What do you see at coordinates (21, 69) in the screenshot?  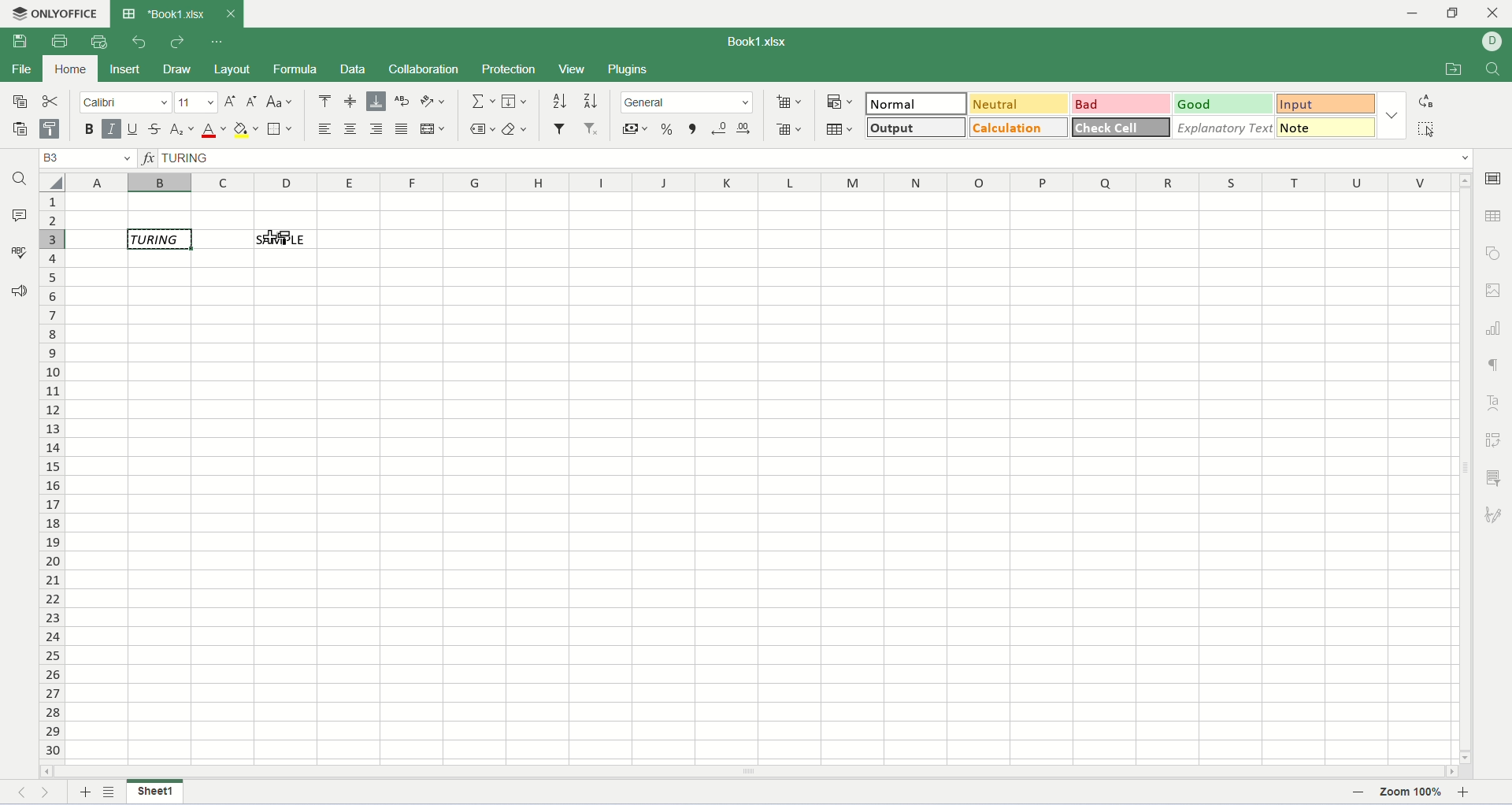 I see `file` at bounding box center [21, 69].